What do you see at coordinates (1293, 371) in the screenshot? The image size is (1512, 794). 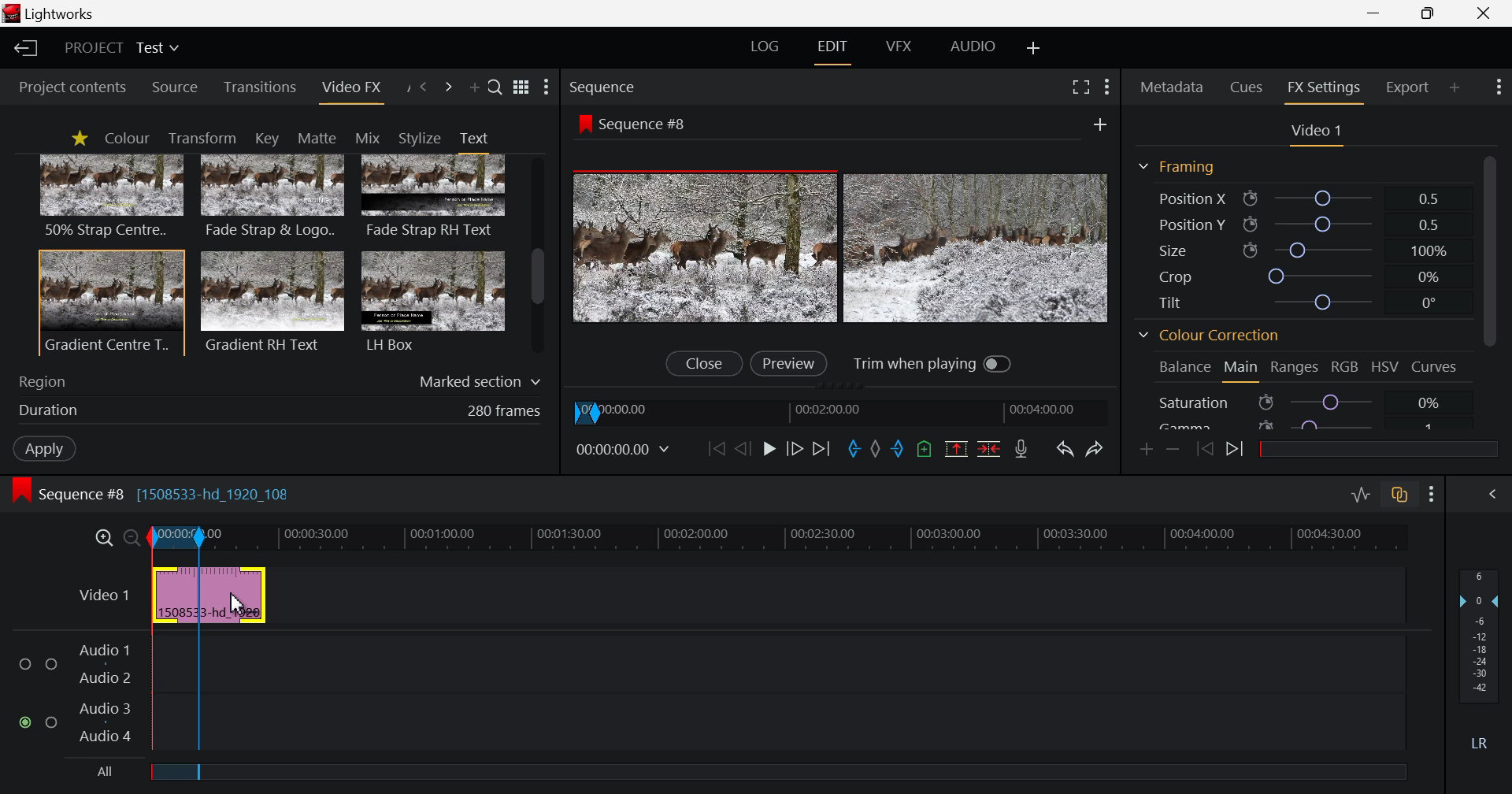 I see `Ranges` at bounding box center [1293, 371].